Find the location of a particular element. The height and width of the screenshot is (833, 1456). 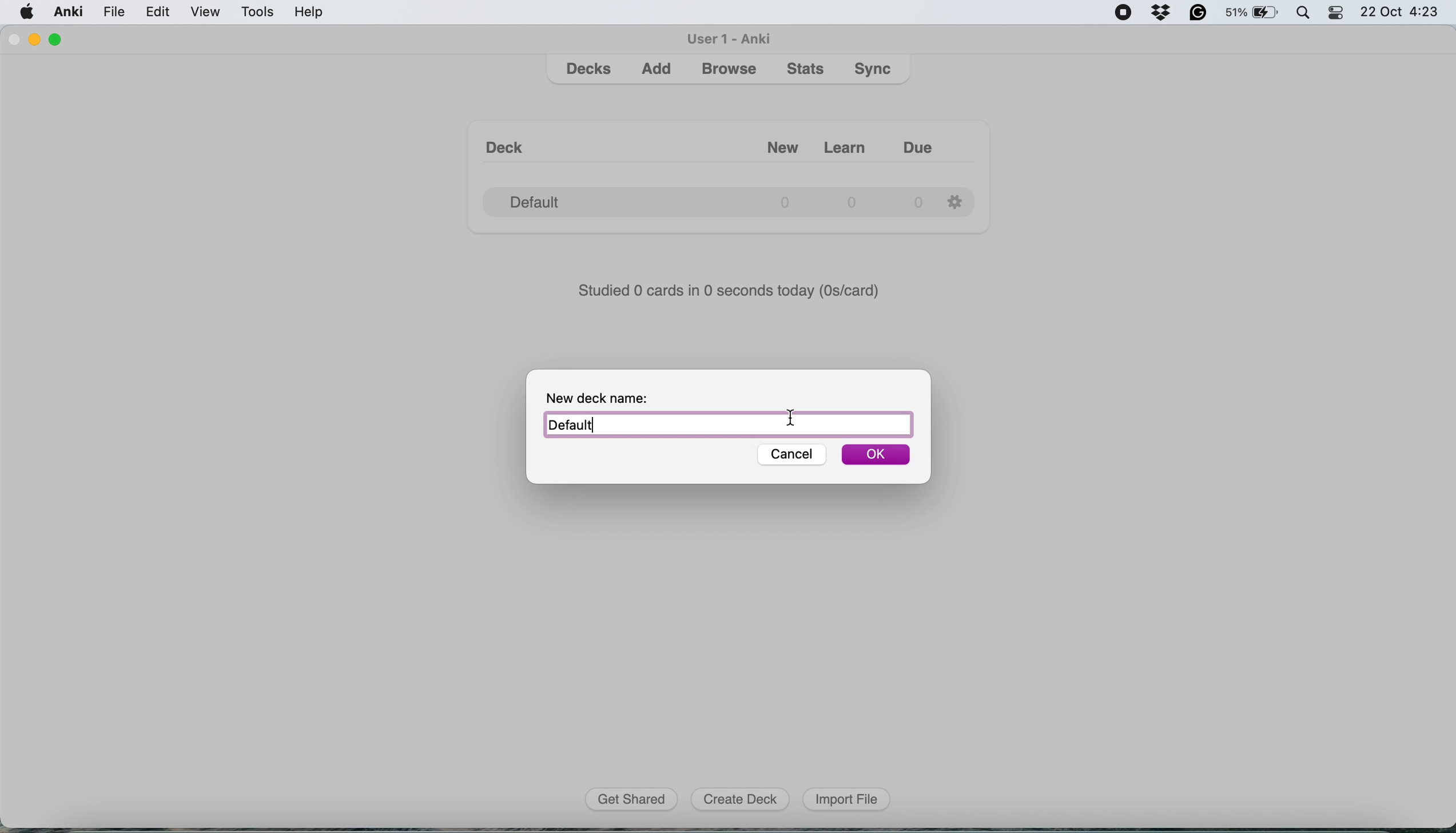

minimise is located at coordinates (39, 40).